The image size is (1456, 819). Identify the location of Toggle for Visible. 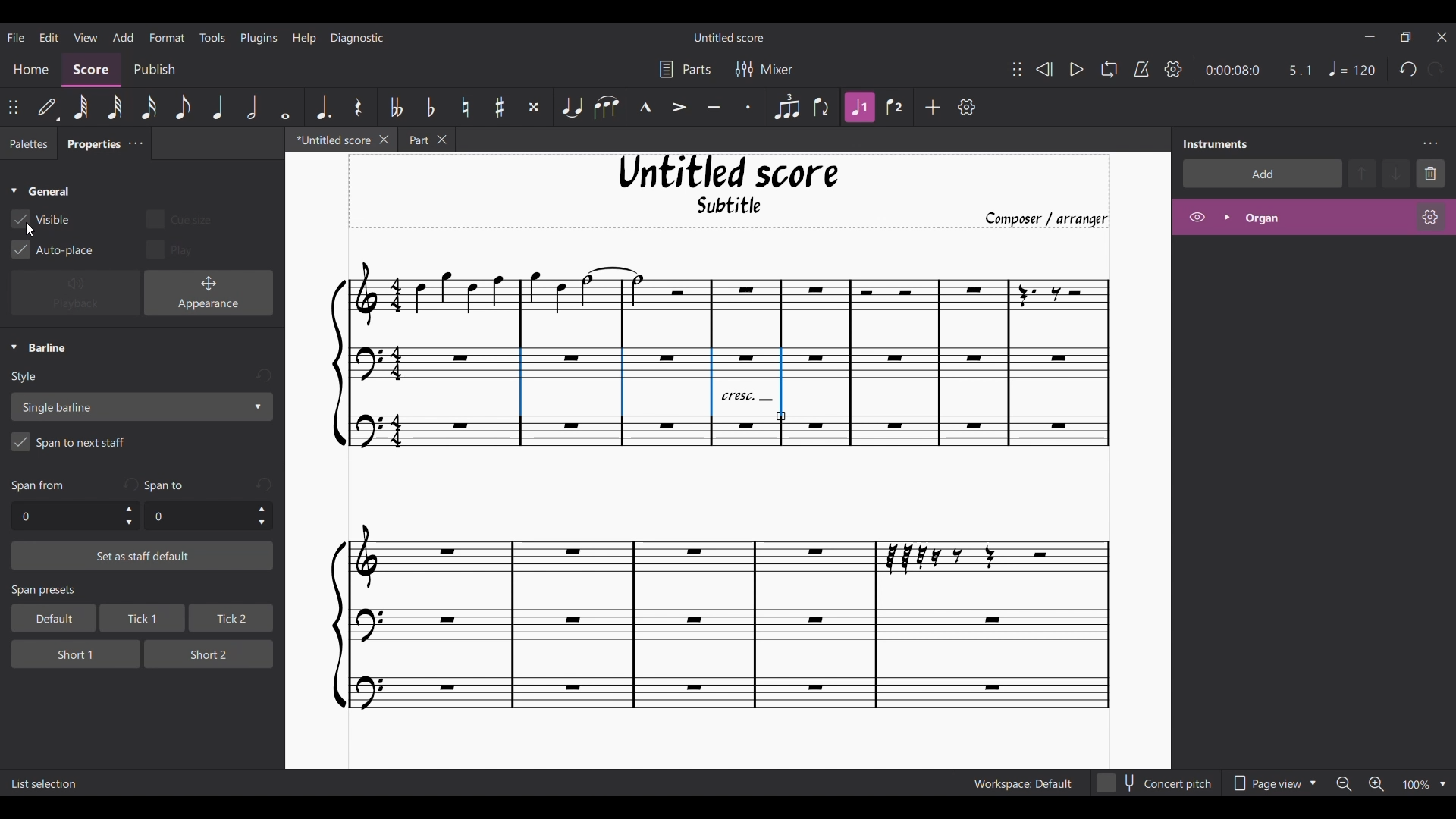
(41, 219).